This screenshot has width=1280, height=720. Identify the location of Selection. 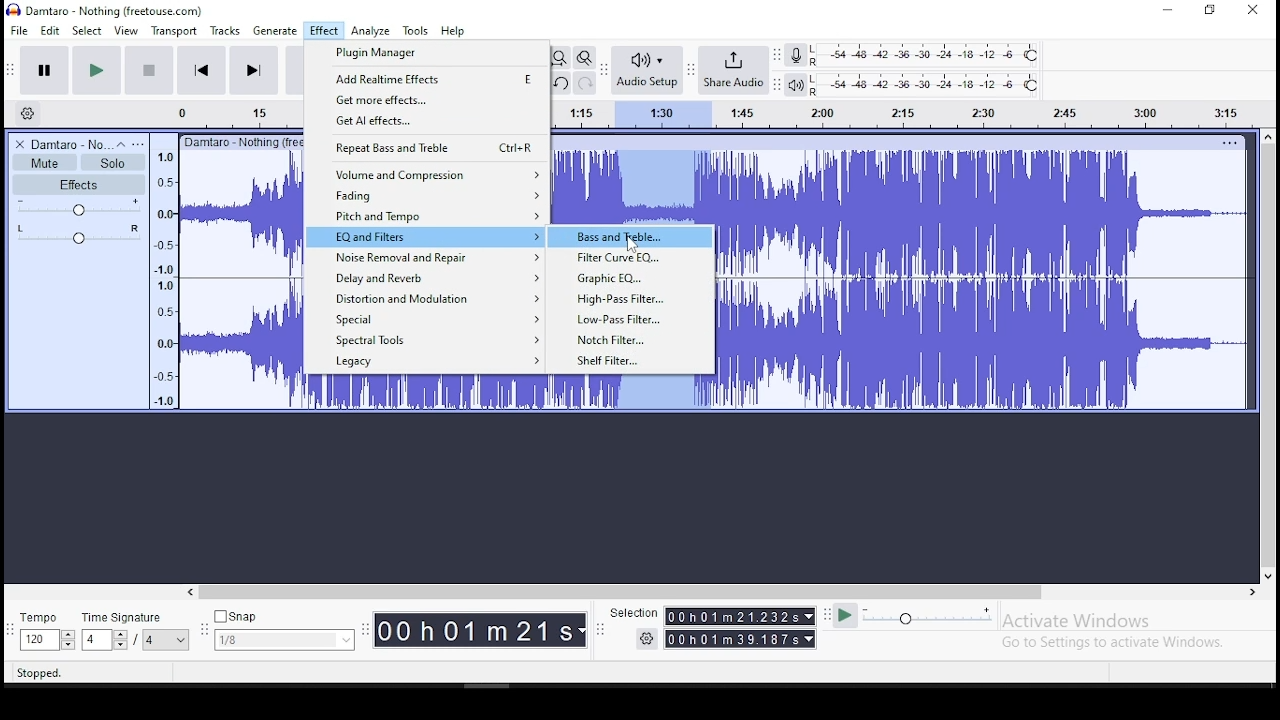
(632, 613).